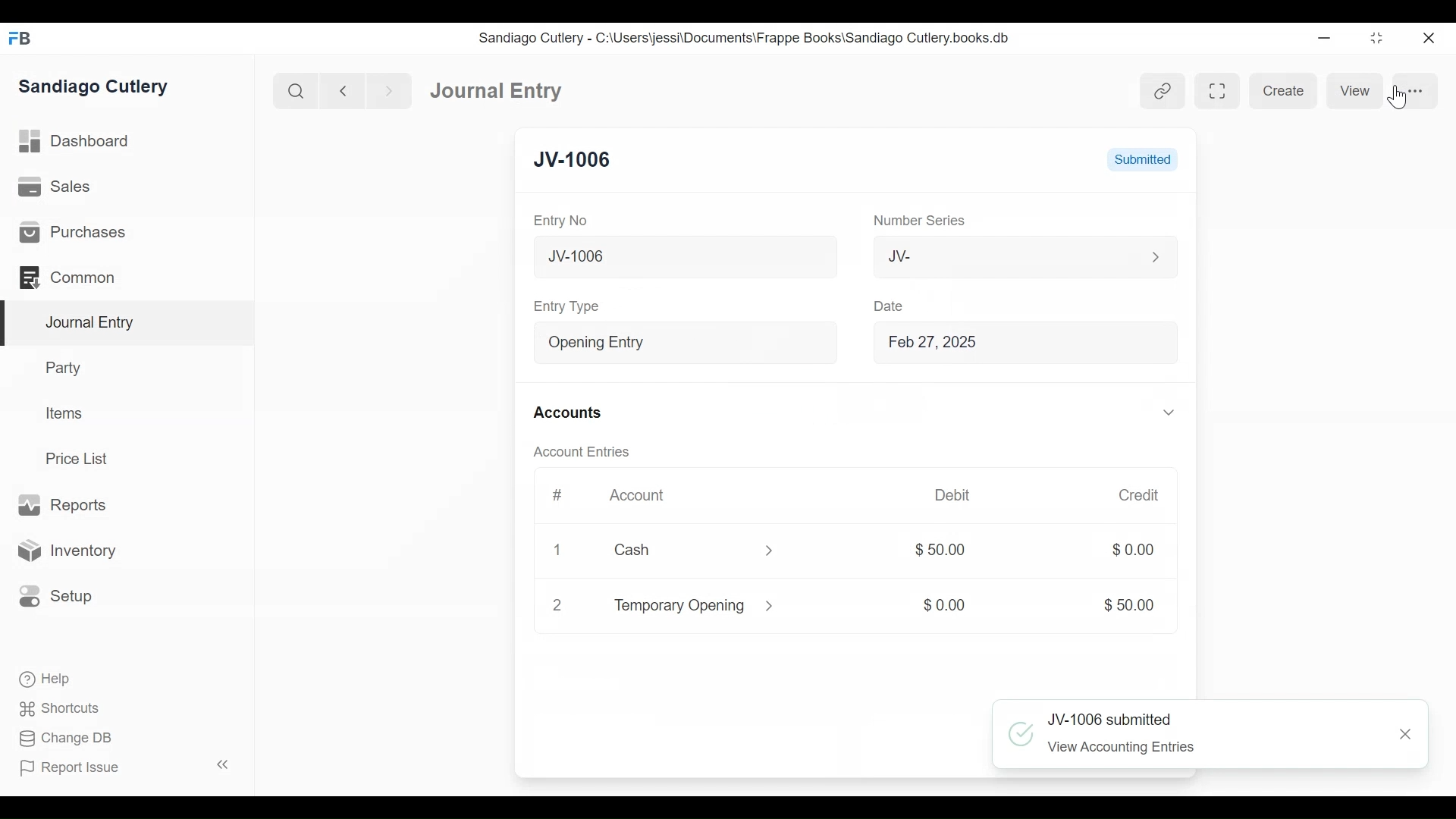  Describe the element at coordinates (66, 277) in the screenshot. I see `Commons` at that location.